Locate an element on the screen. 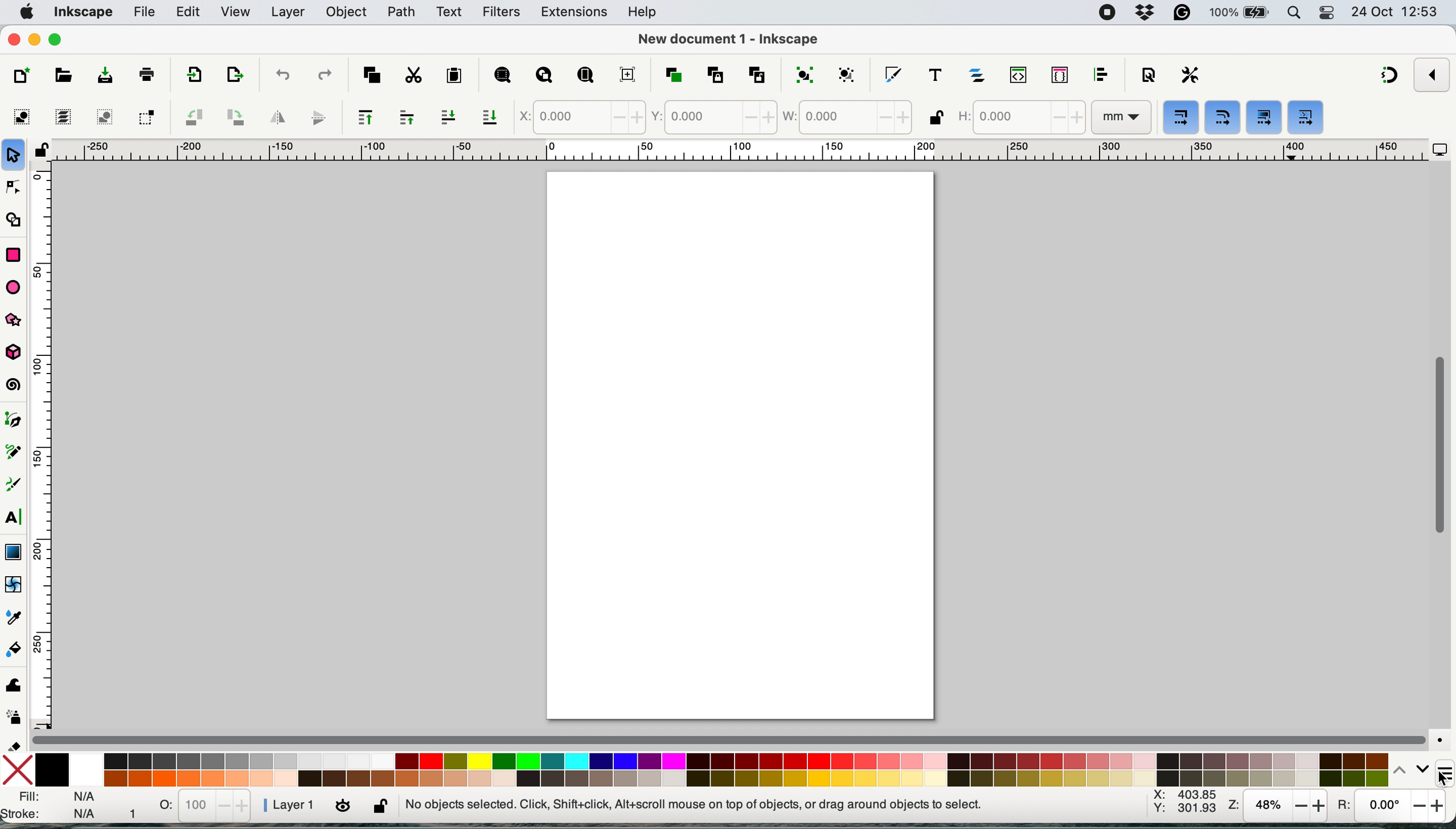  fill and stroke is located at coordinates (51, 805).